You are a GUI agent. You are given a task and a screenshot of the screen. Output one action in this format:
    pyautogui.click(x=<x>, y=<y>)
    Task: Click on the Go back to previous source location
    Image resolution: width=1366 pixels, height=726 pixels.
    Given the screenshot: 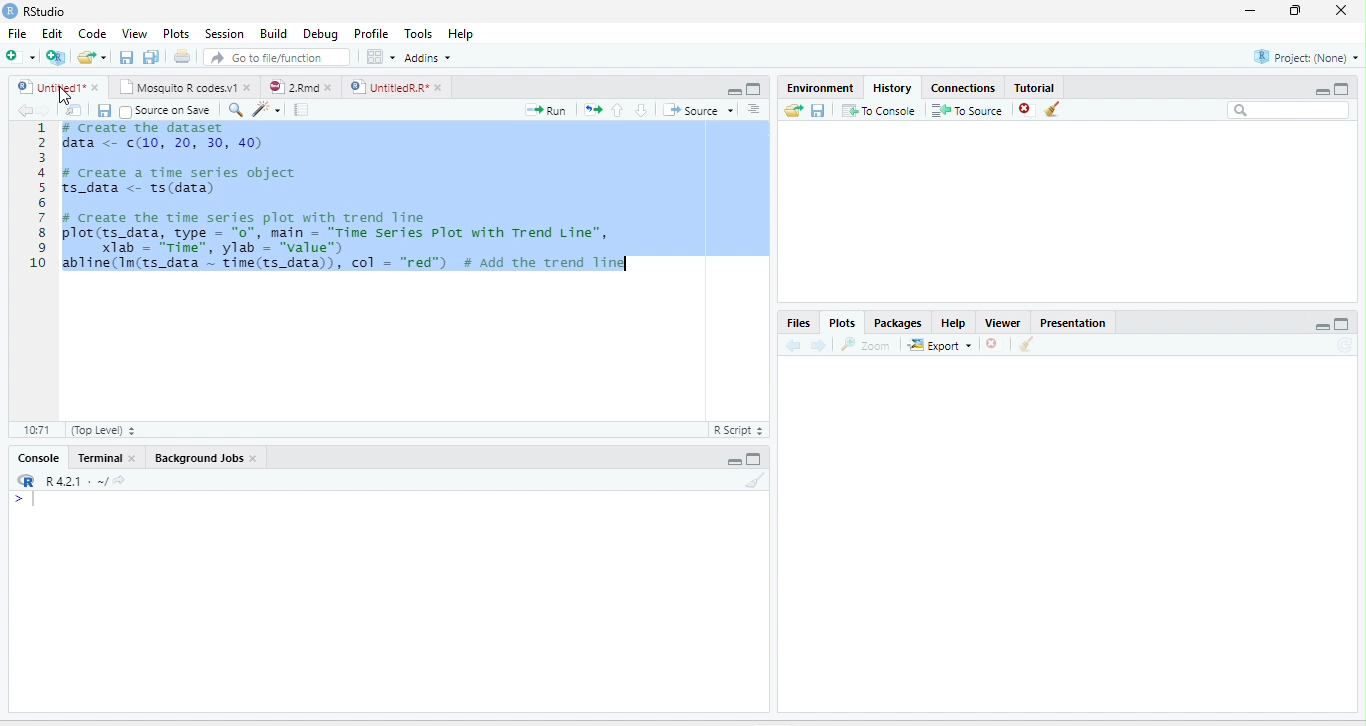 What is the action you would take?
    pyautogui.click(x=22, y=110)
    